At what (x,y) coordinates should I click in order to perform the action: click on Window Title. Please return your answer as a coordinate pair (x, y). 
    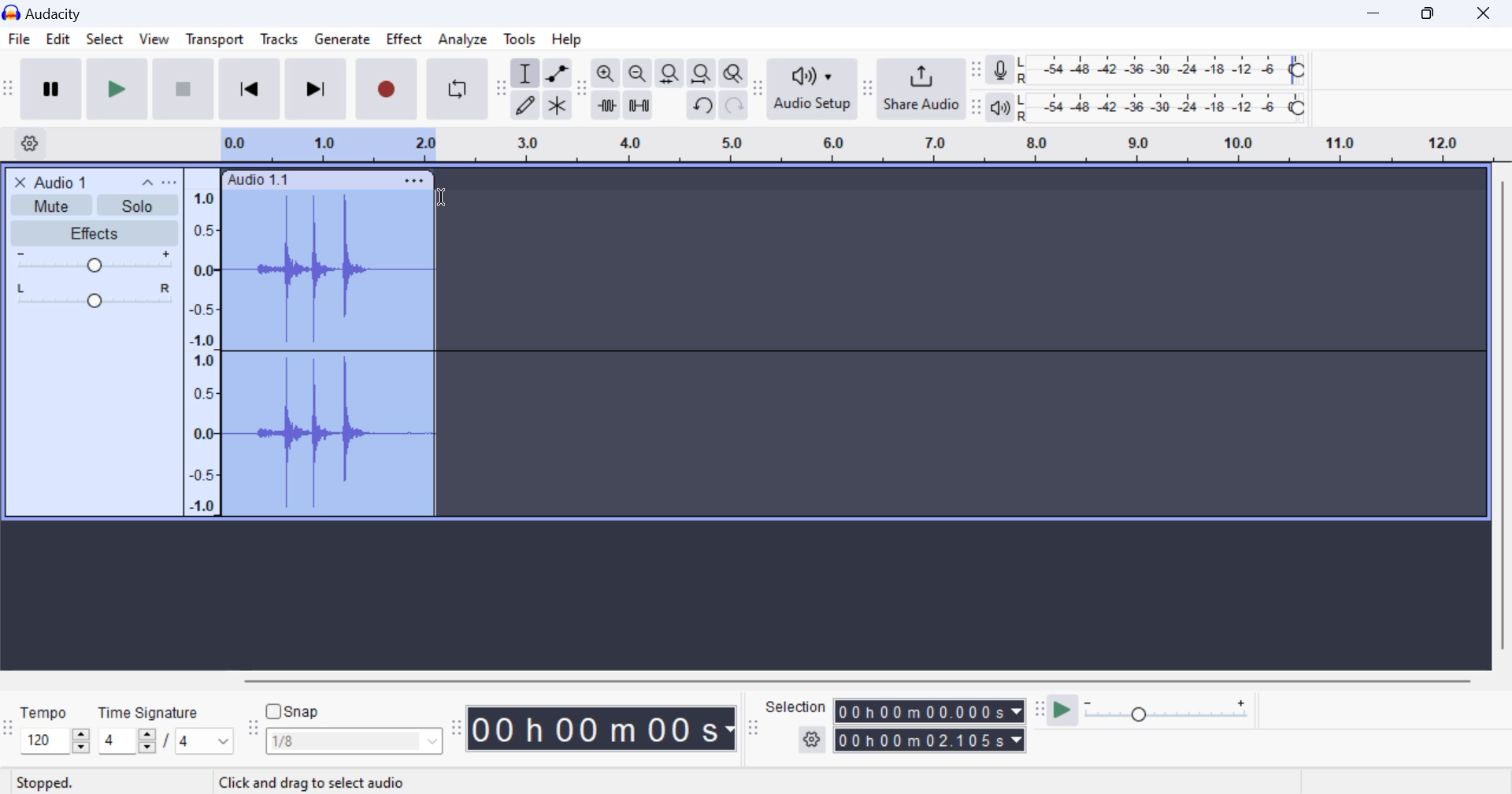
    Looking at the image, I should click on (50, 13).